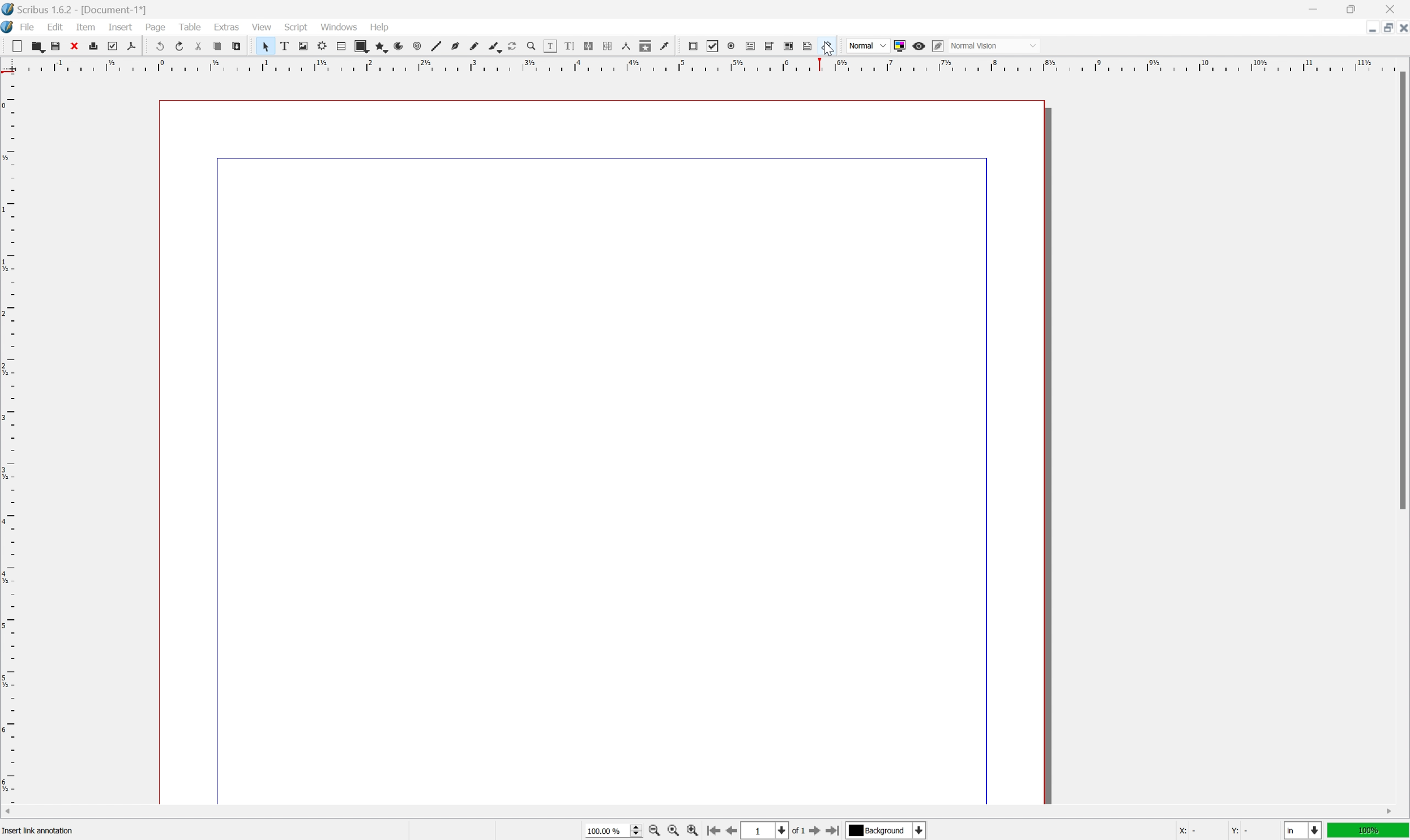  What do you see at coordinates (56, 46) in the screenshot?
I see `save` at bounding box center [56, 46].